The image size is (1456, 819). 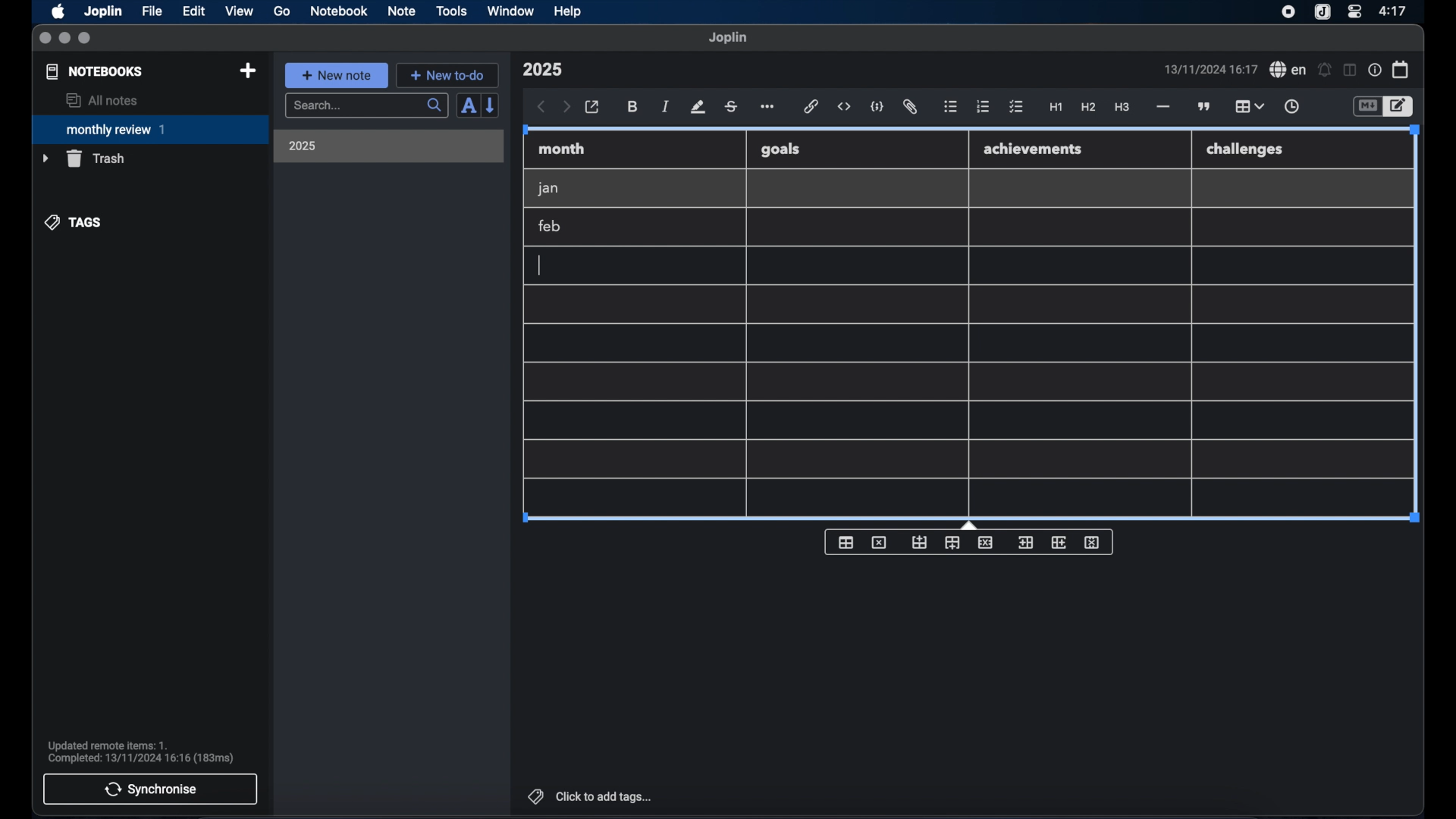 I want to click on all notes, so click(x=102, y=100).